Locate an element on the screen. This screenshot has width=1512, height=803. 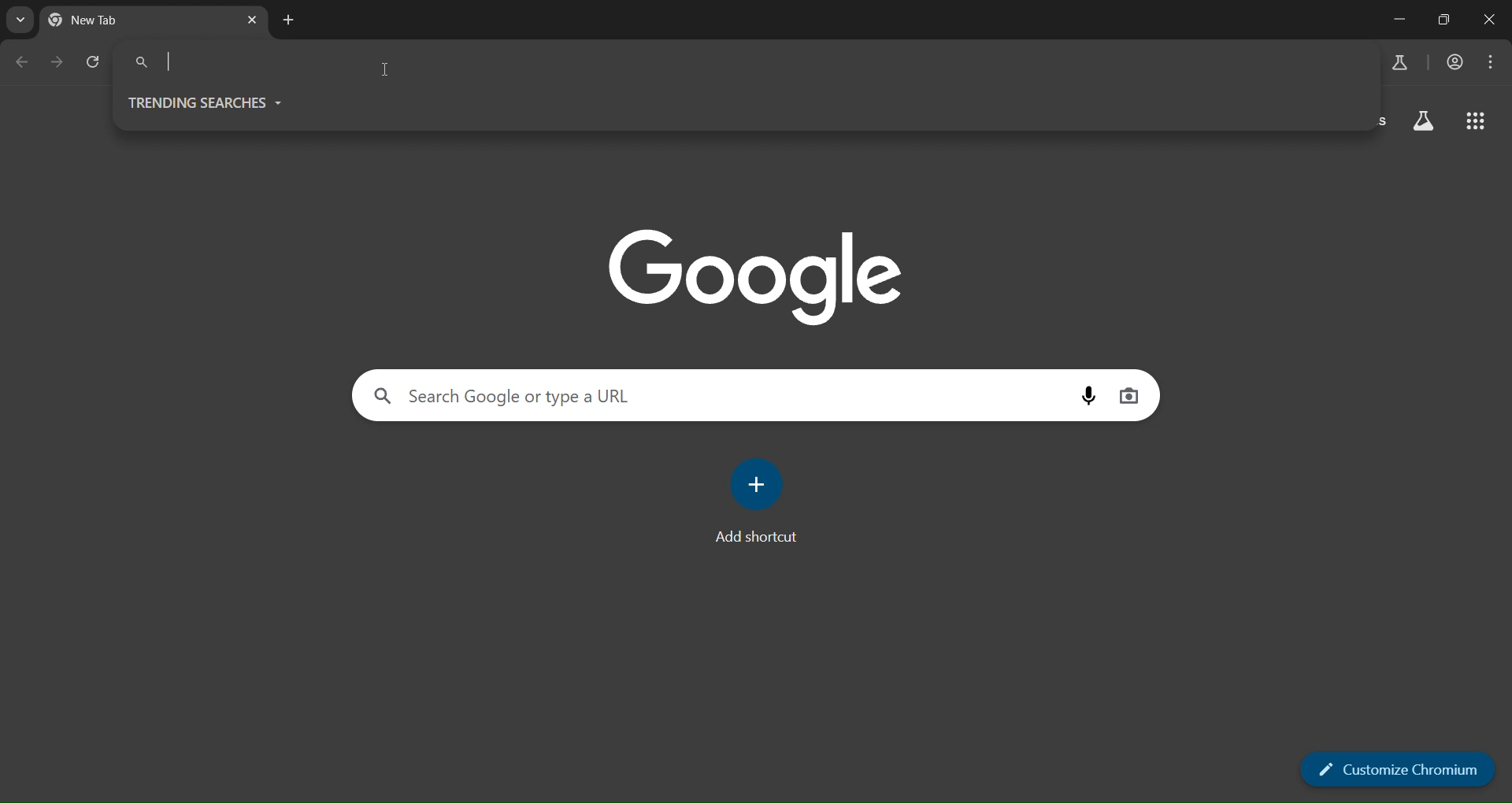
search labs is located at coordinates (1399, 61).